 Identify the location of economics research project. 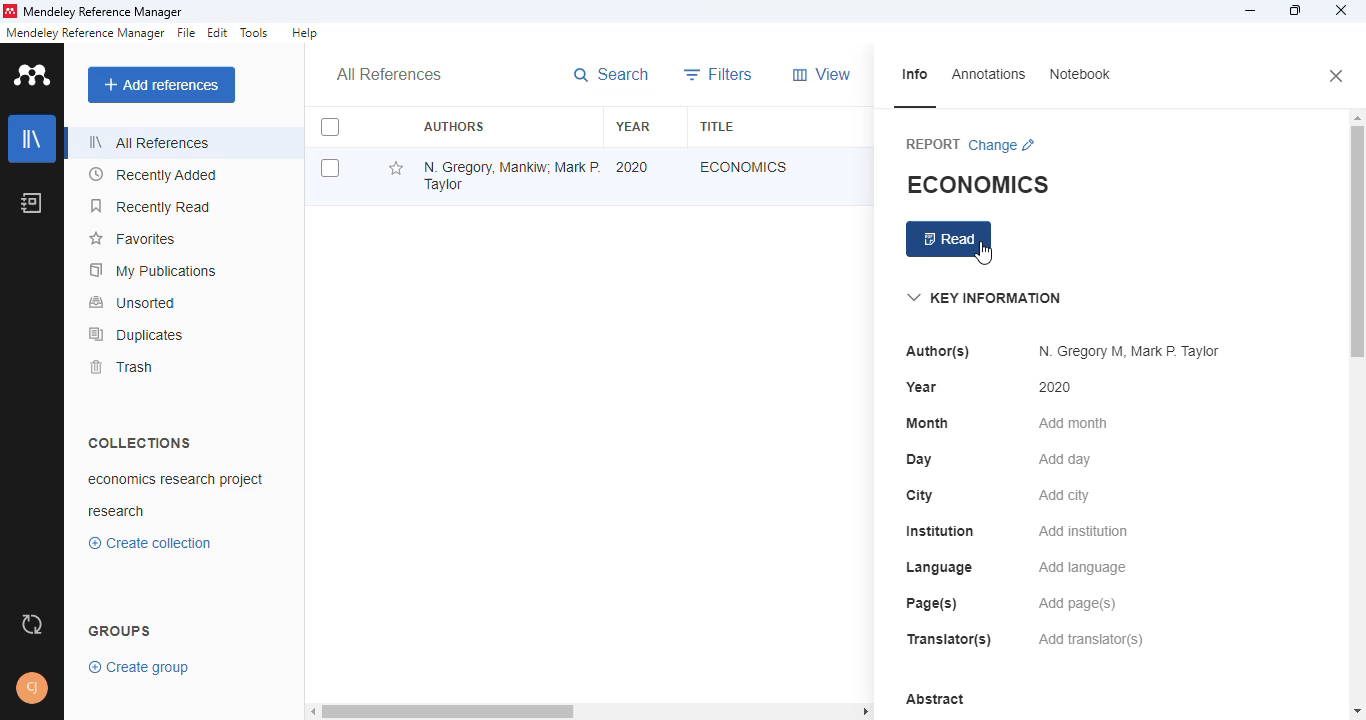
(175, 480).